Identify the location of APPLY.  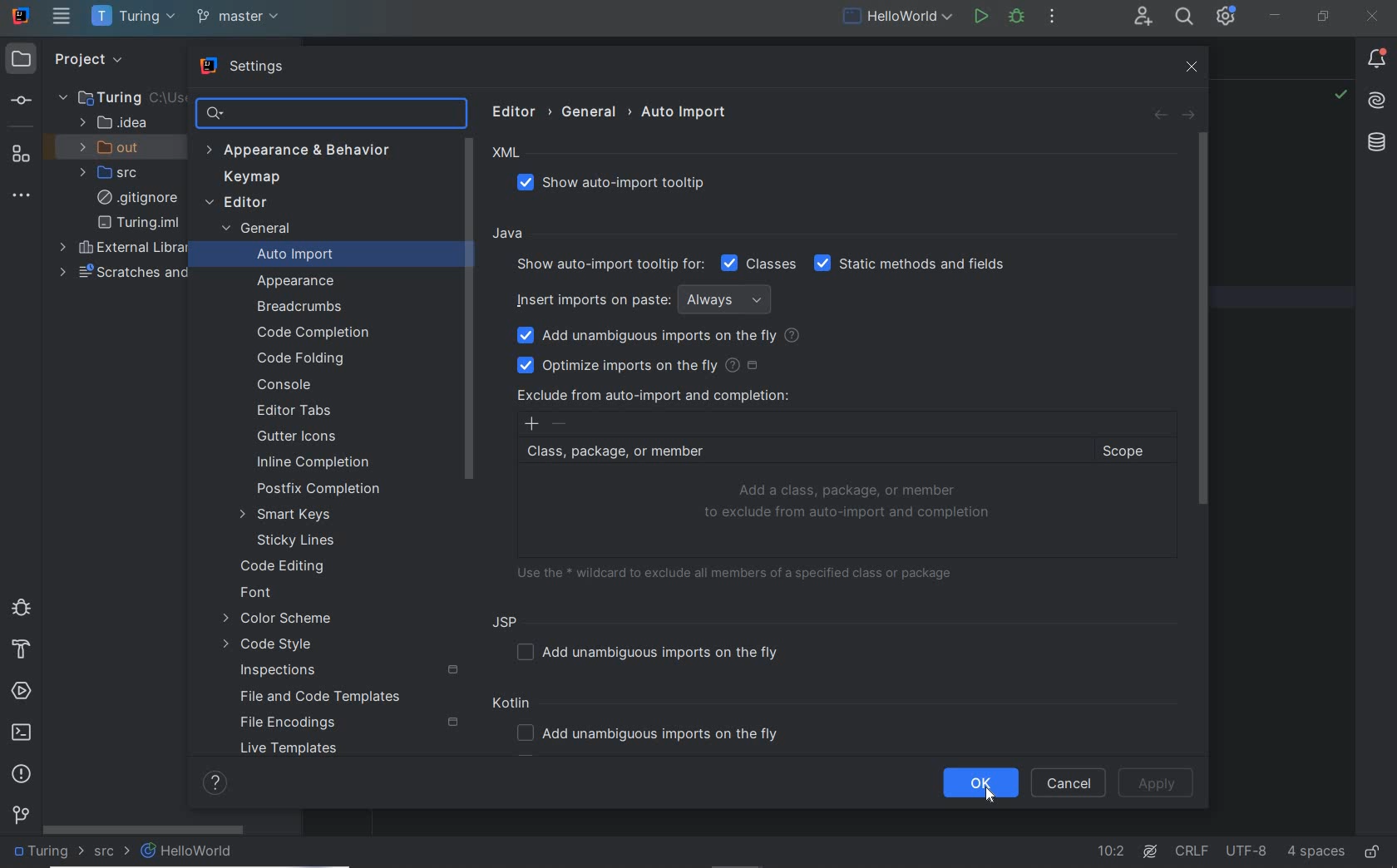
(1158, 783).